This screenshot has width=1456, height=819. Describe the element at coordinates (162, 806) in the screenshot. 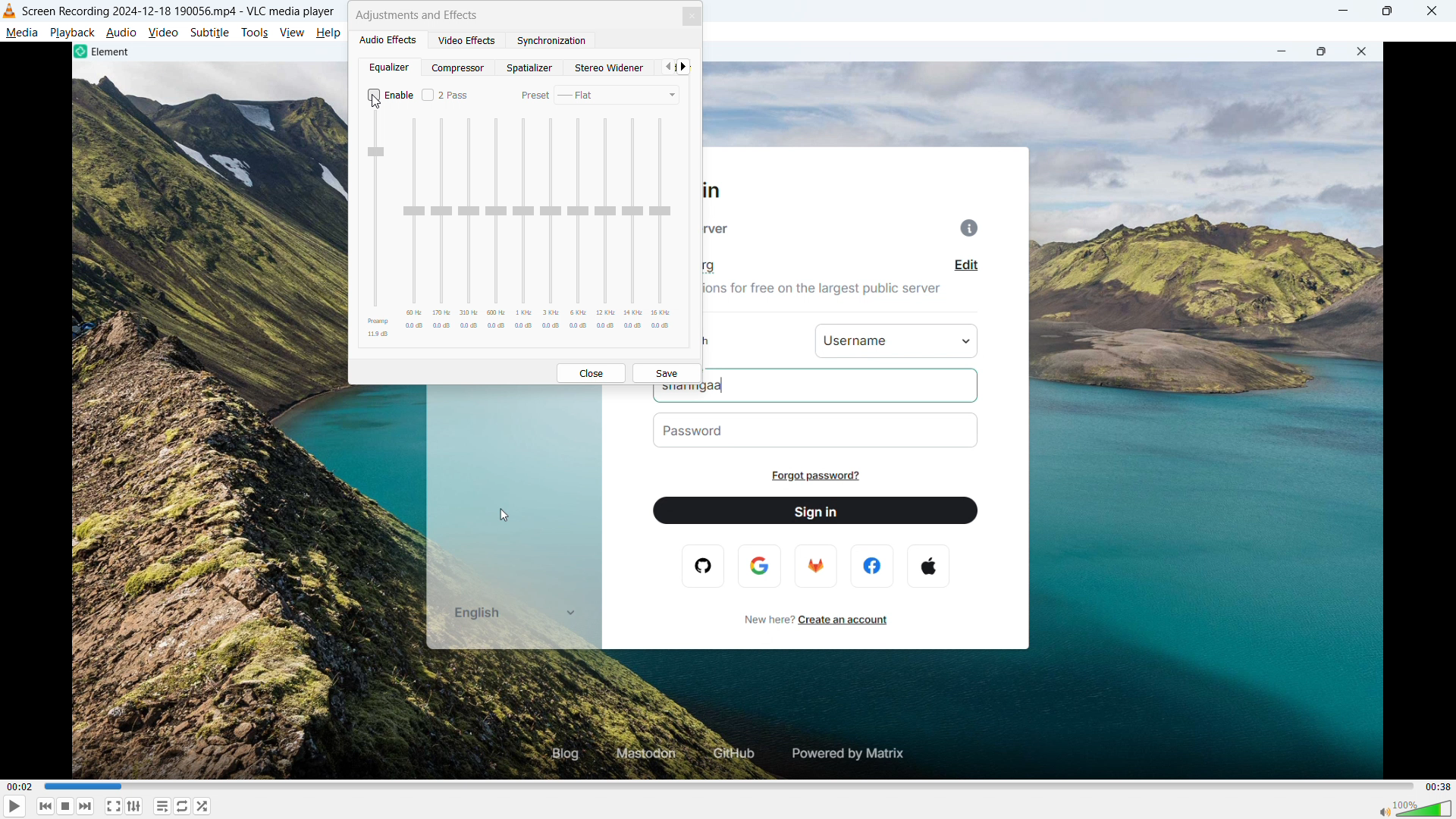

I see `Toggle playlist ` at that location.